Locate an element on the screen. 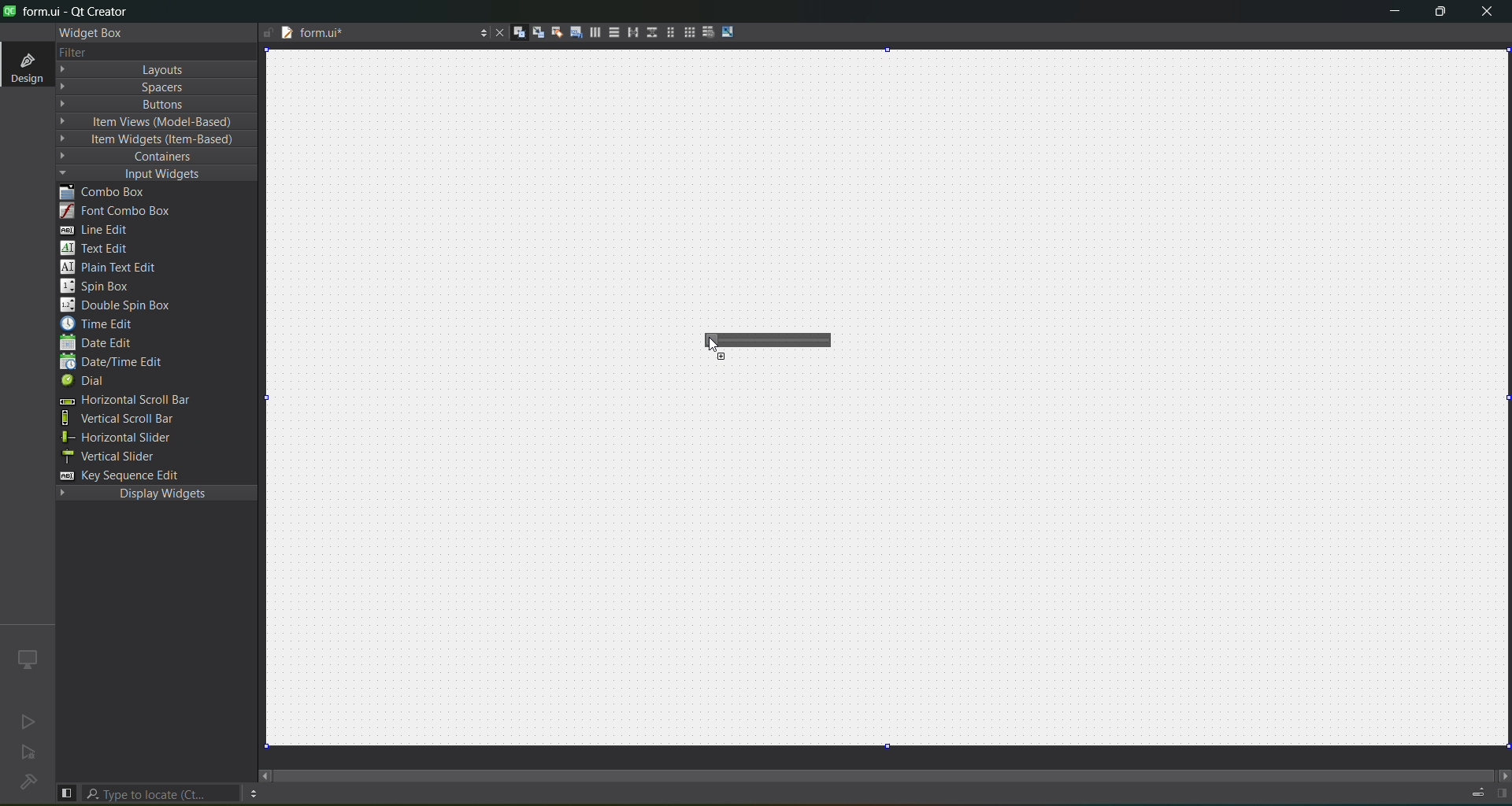 This screenshot has width=1512, height=806. writable is located at coordinates (265, 33).